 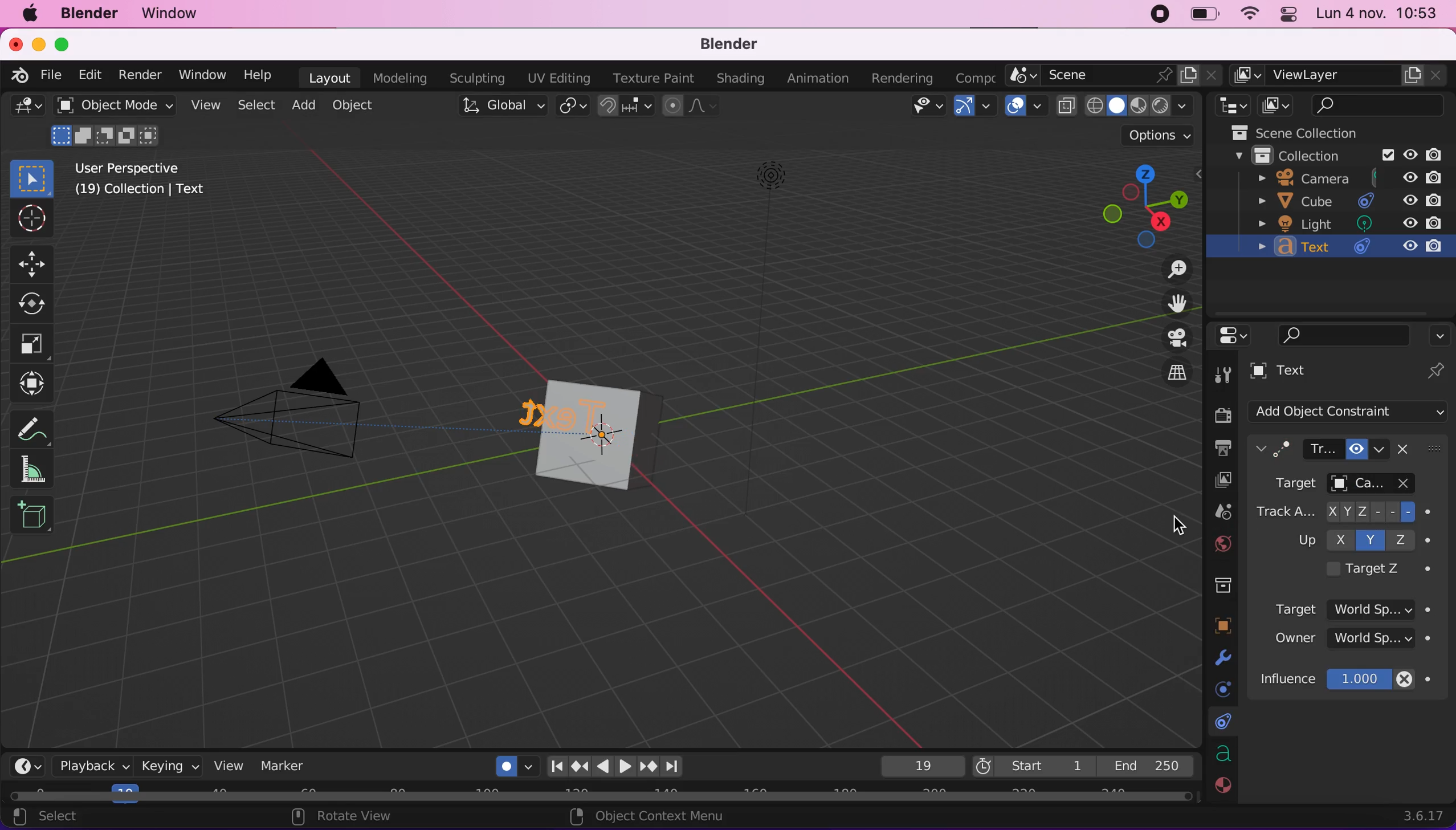 I want to click on recording stopped, so click(x=1156, y=15).